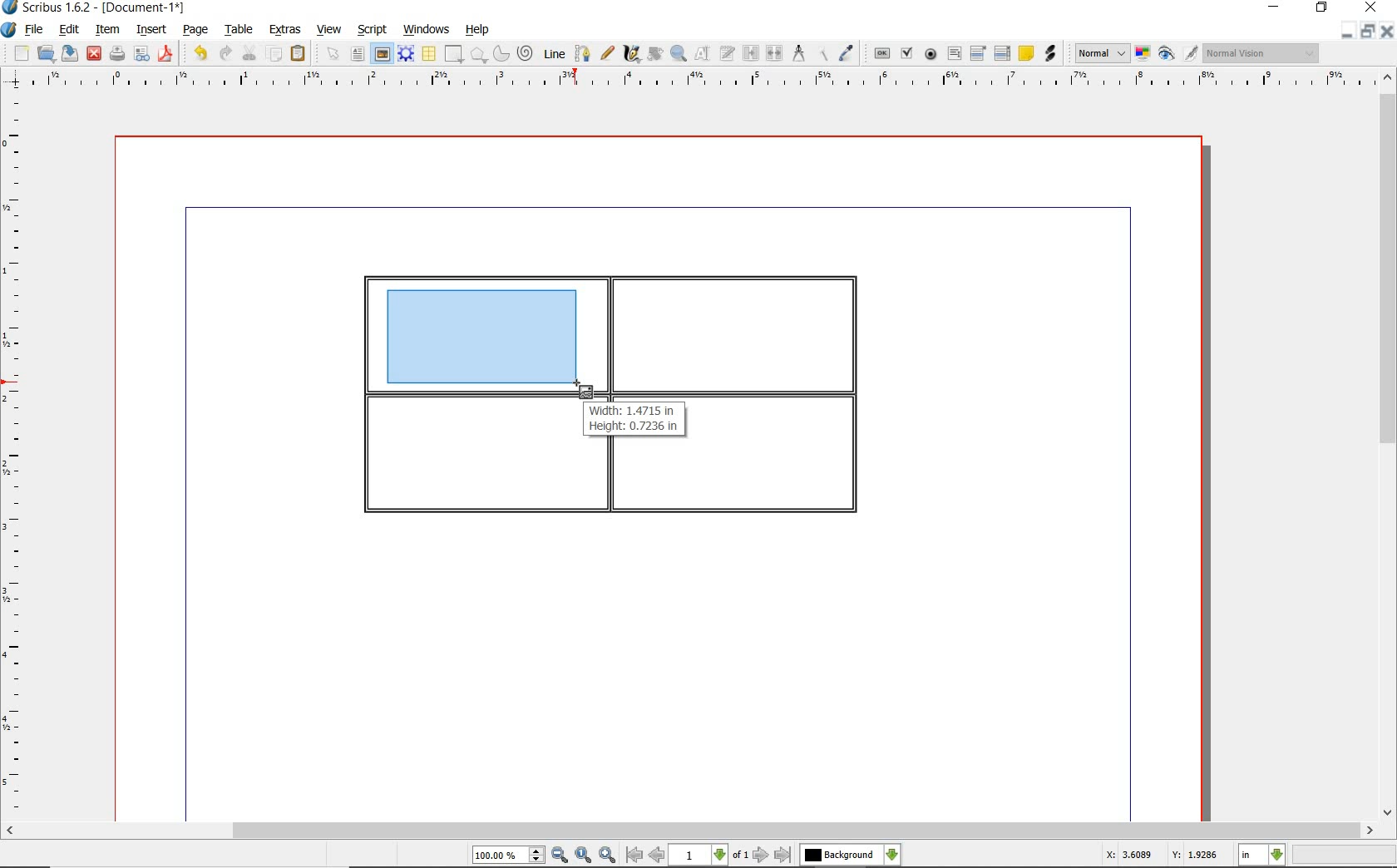 The width and height of the screenshot is (1397, 868). I want to click on table, so click(430, 55).